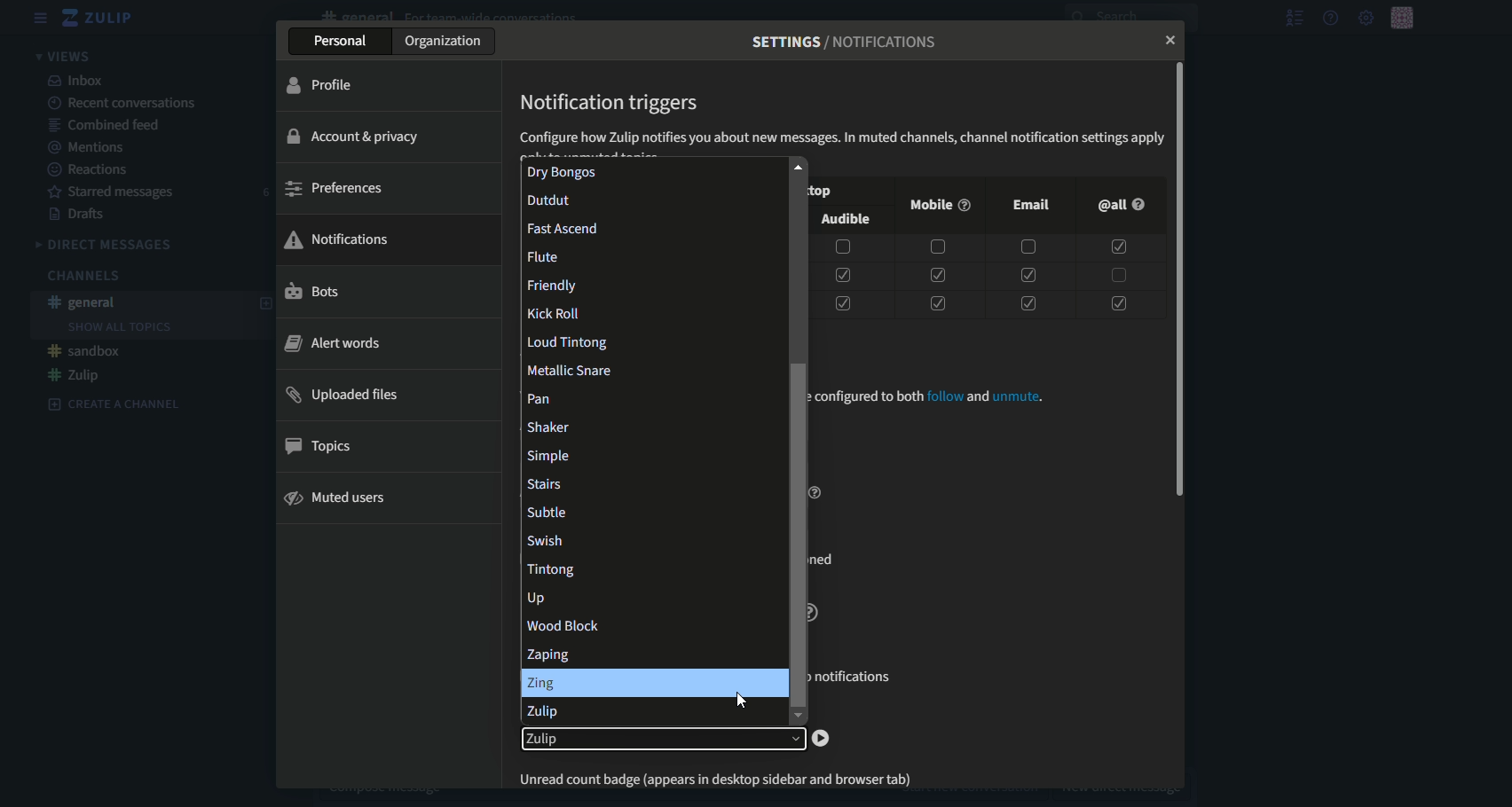 The width and height of the screenshot is (1512, 807). What do you see at coordinates (1331, 18) in the screenshot?
I see `help menu` at bounding box center [1331, 18].